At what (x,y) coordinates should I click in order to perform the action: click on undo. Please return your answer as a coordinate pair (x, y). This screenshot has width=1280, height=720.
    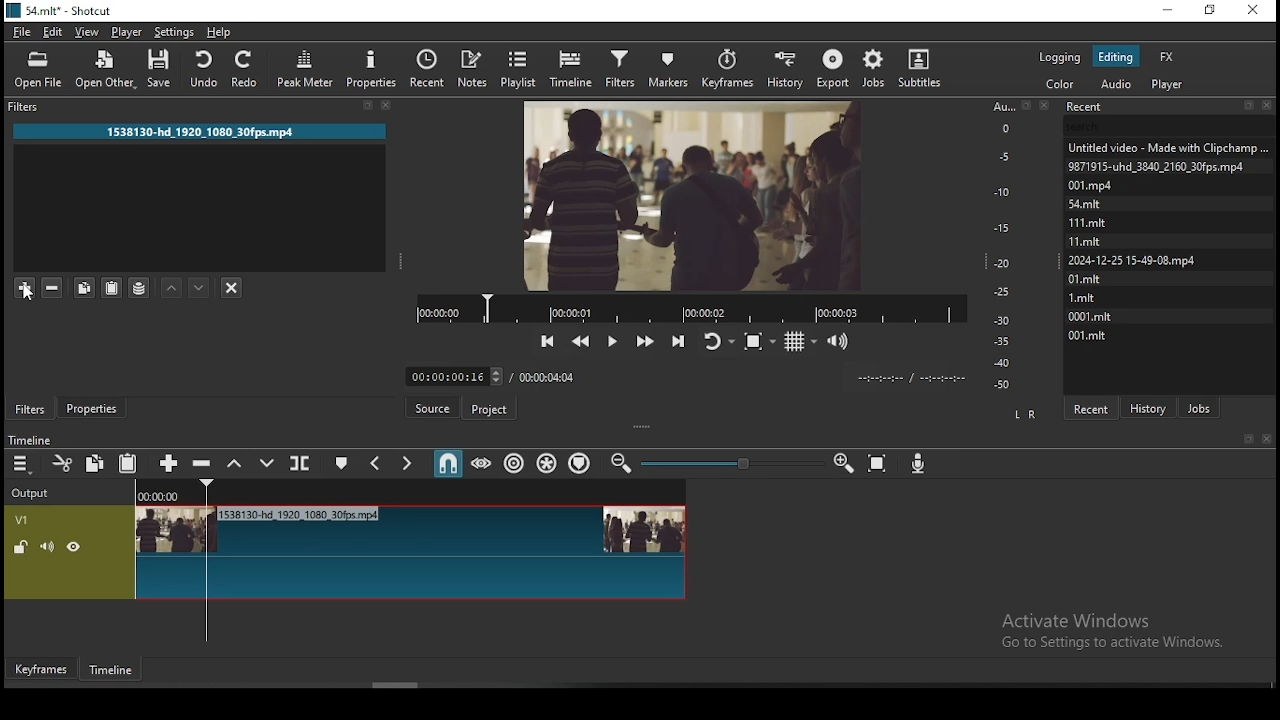
    Looking at the image, I should click on (201, 66).